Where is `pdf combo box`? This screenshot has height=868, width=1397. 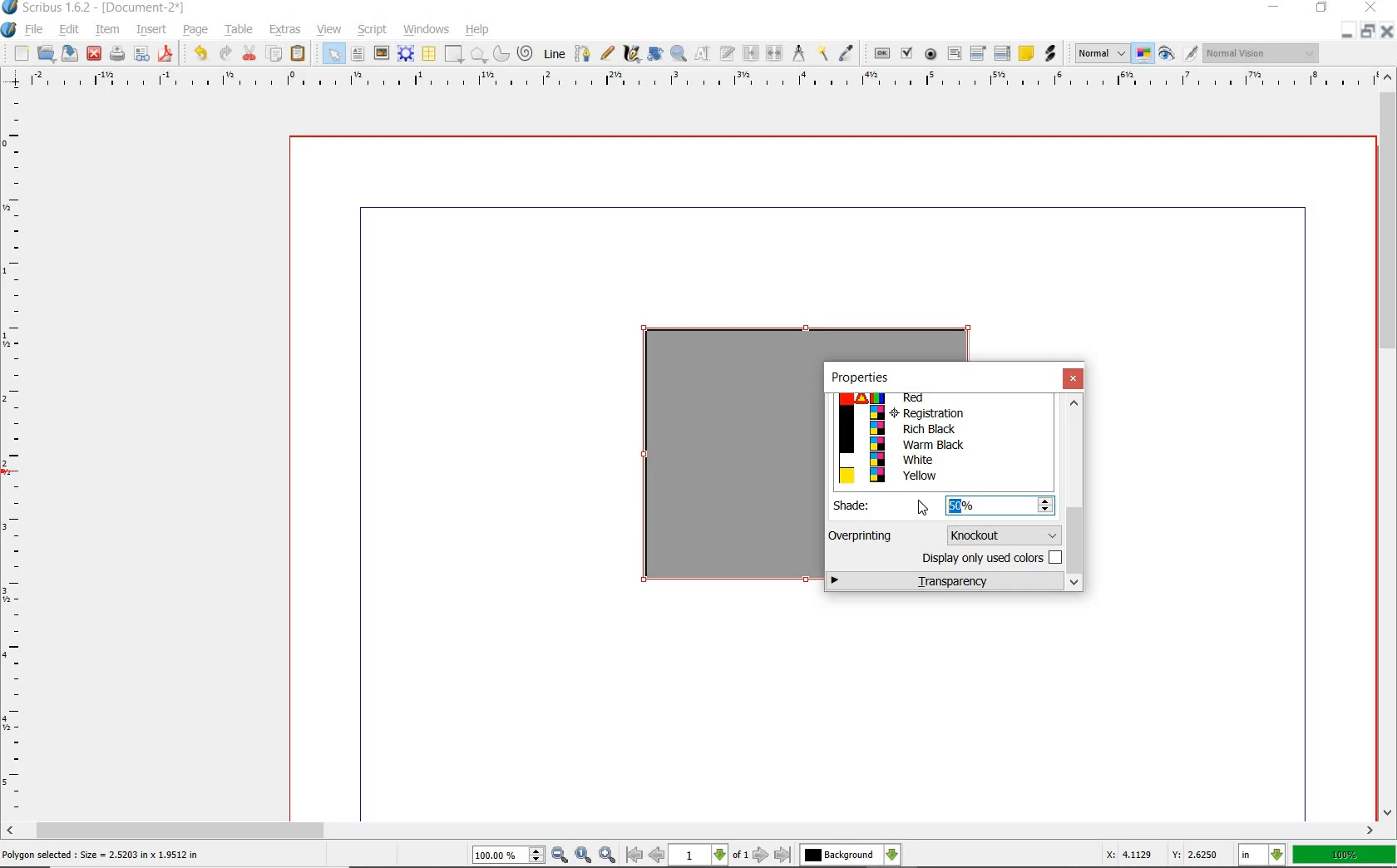 pdf combo box is located at coordinates (978, 54).